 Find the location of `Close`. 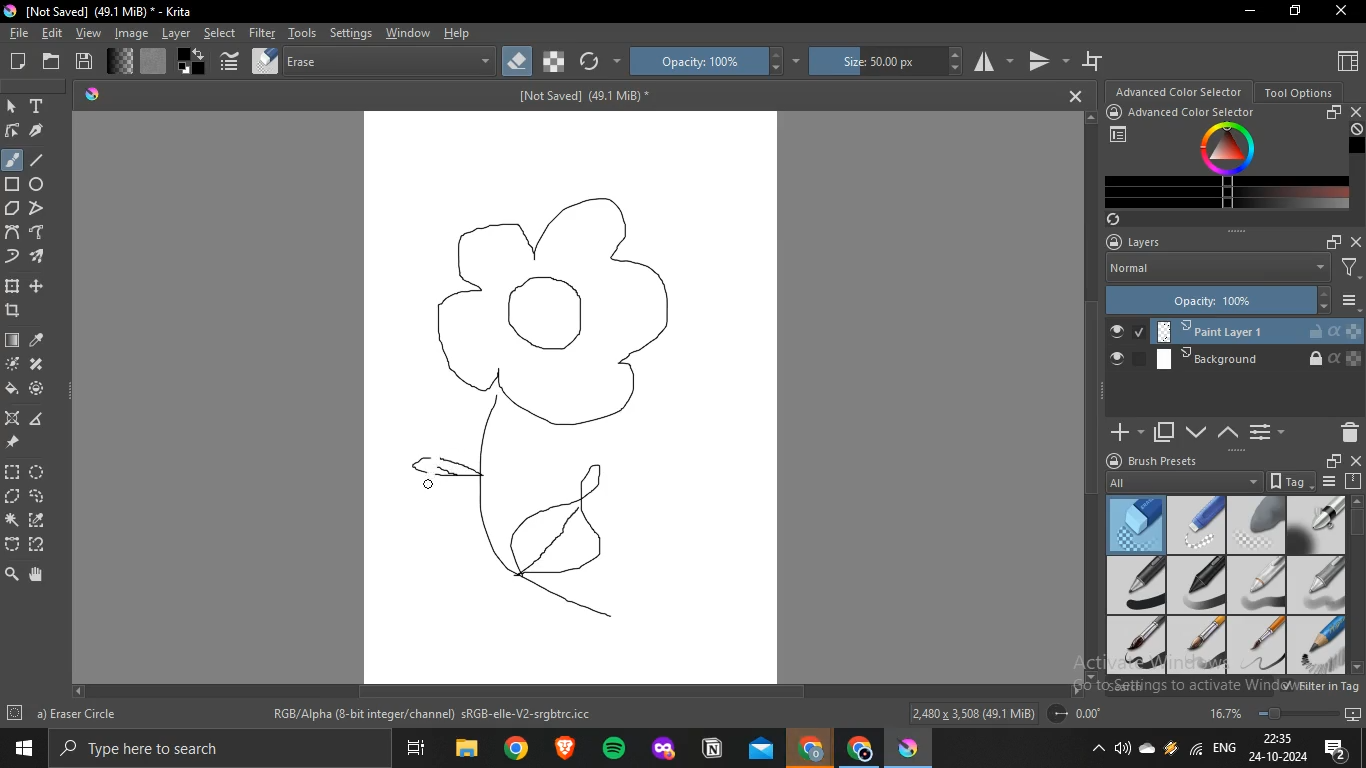

Close is located at coordinates (1070, 95).